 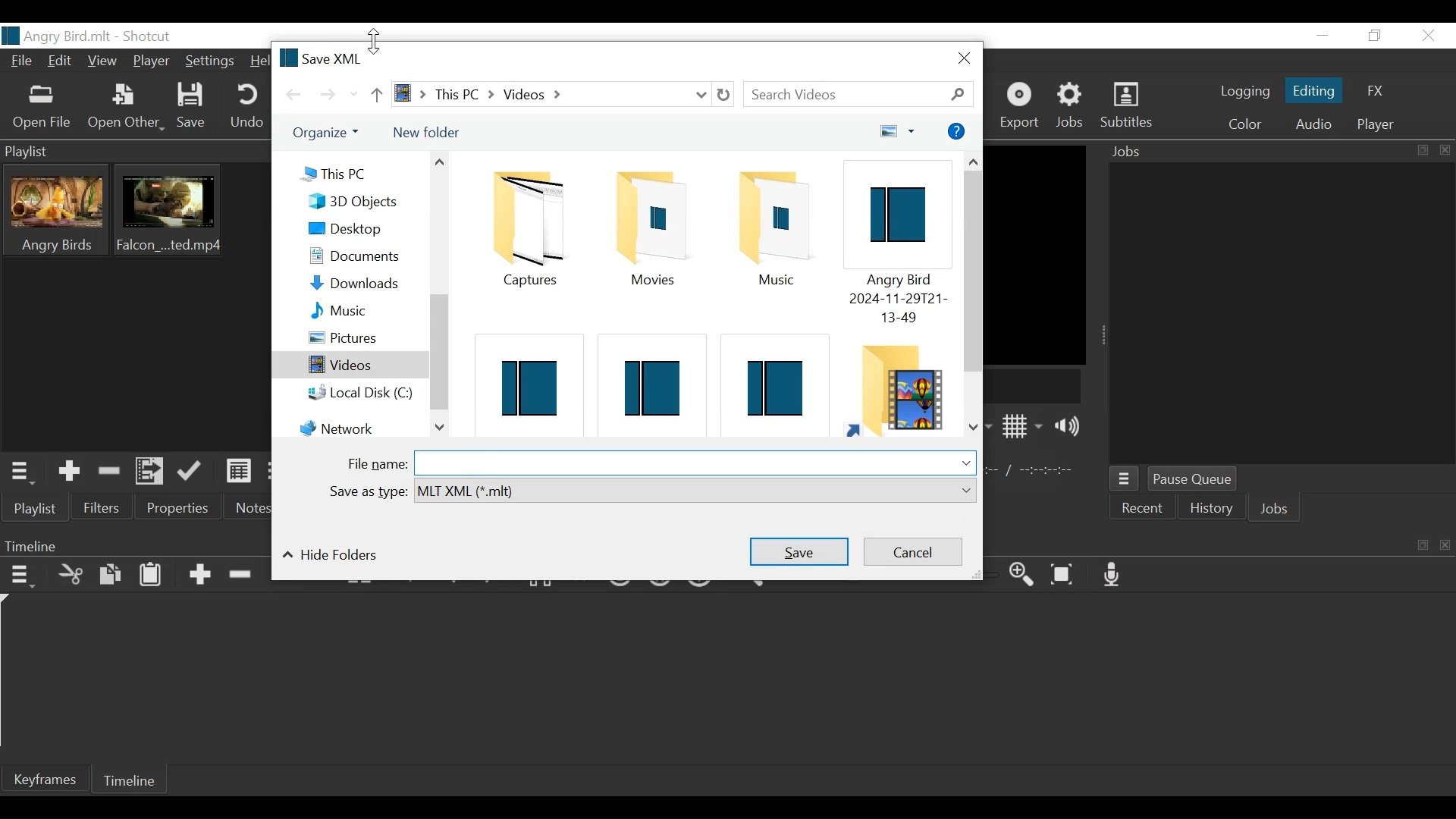 What do you see at coordinates (145, 37) in the screenshot?
I see `Shotcut` at bounding box center [145, 37].